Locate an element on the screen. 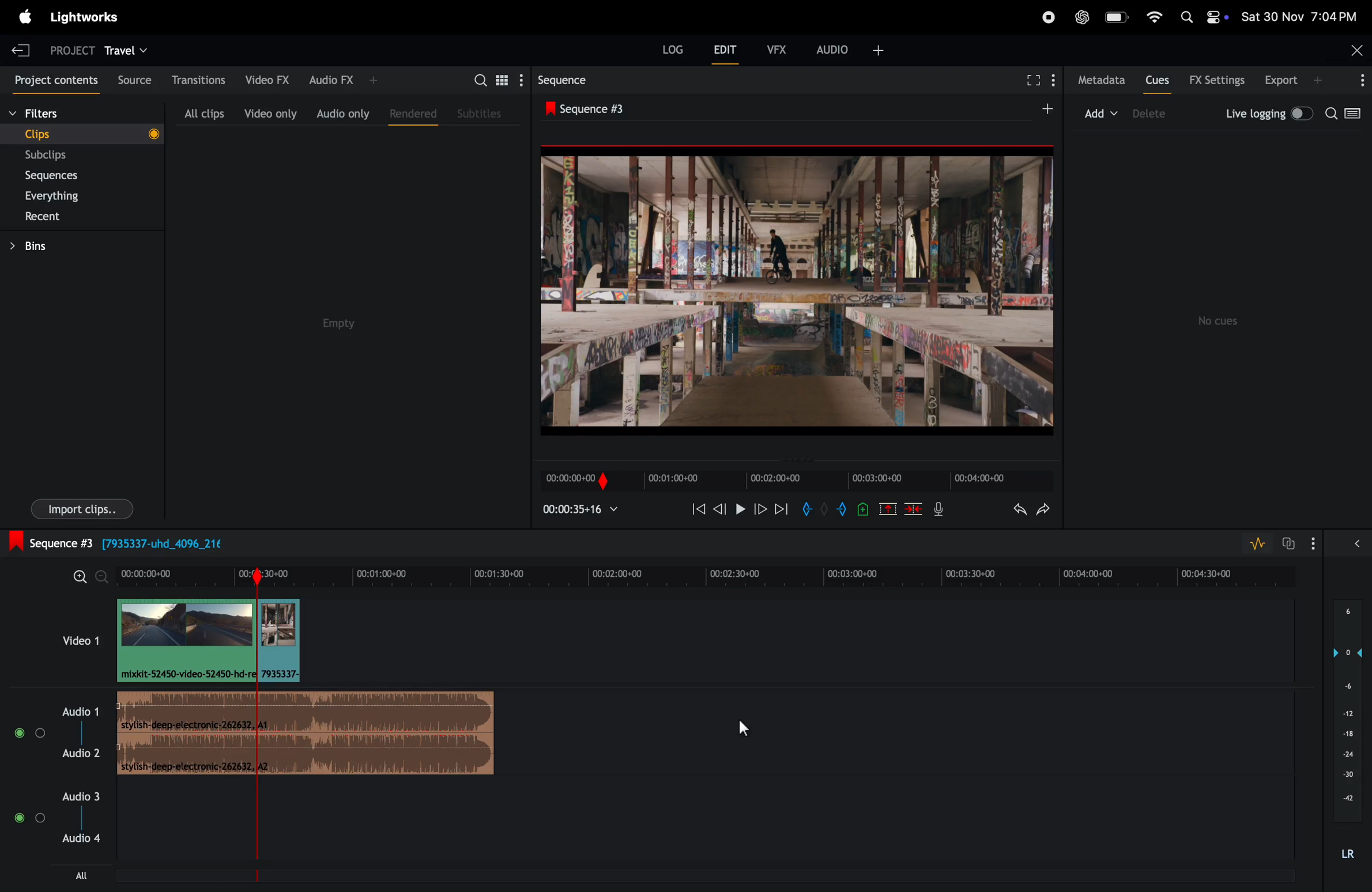 Image resolution: width=1372 pixels, height=892 pixels. -30 (layers) is located at coordinates (1345, 776).